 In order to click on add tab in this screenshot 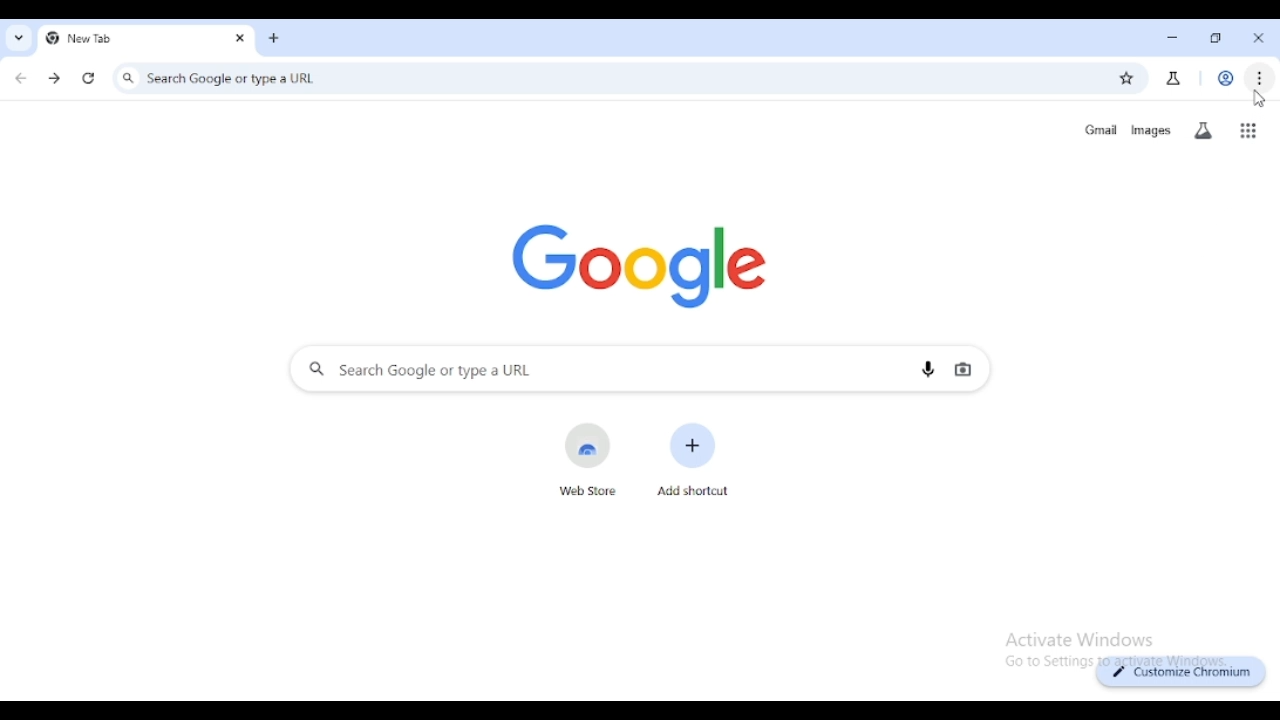, I will do `click(275, 38)`.